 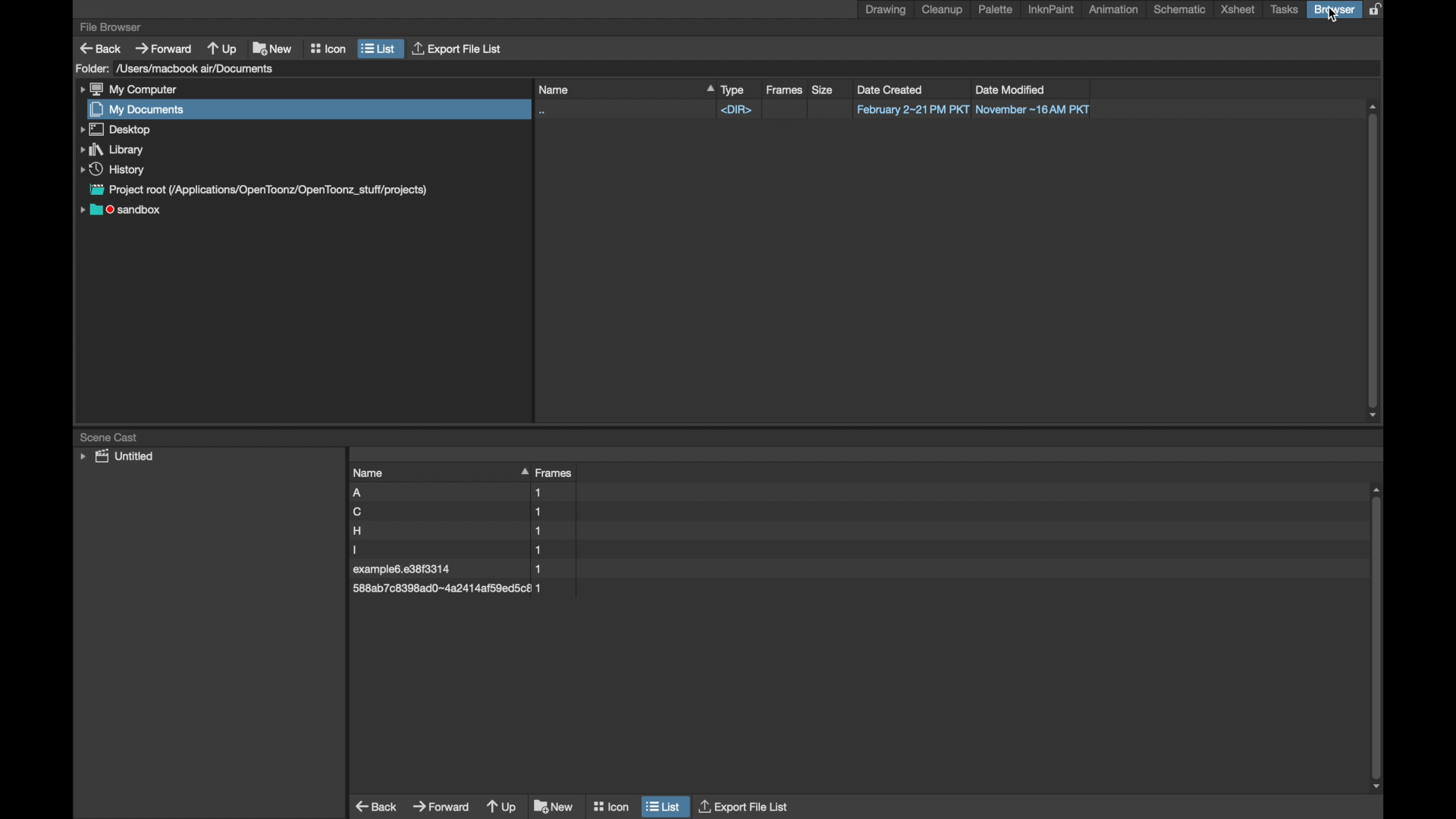 I want to click on 588ab7cB398ad0~4a2414af59ed5c8, so click(x=440, y=589).